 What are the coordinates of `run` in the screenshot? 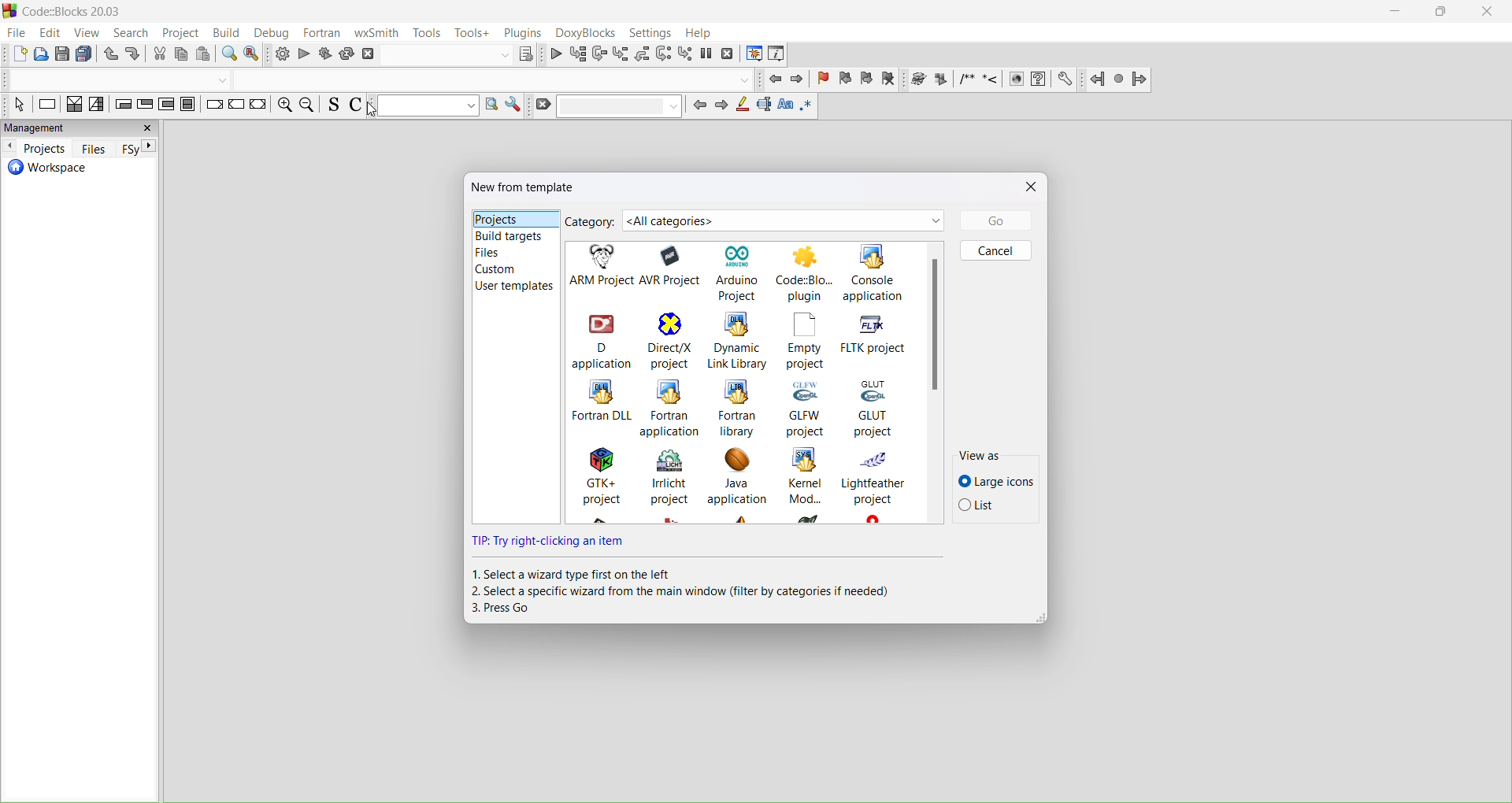 It's located at (303, 54).